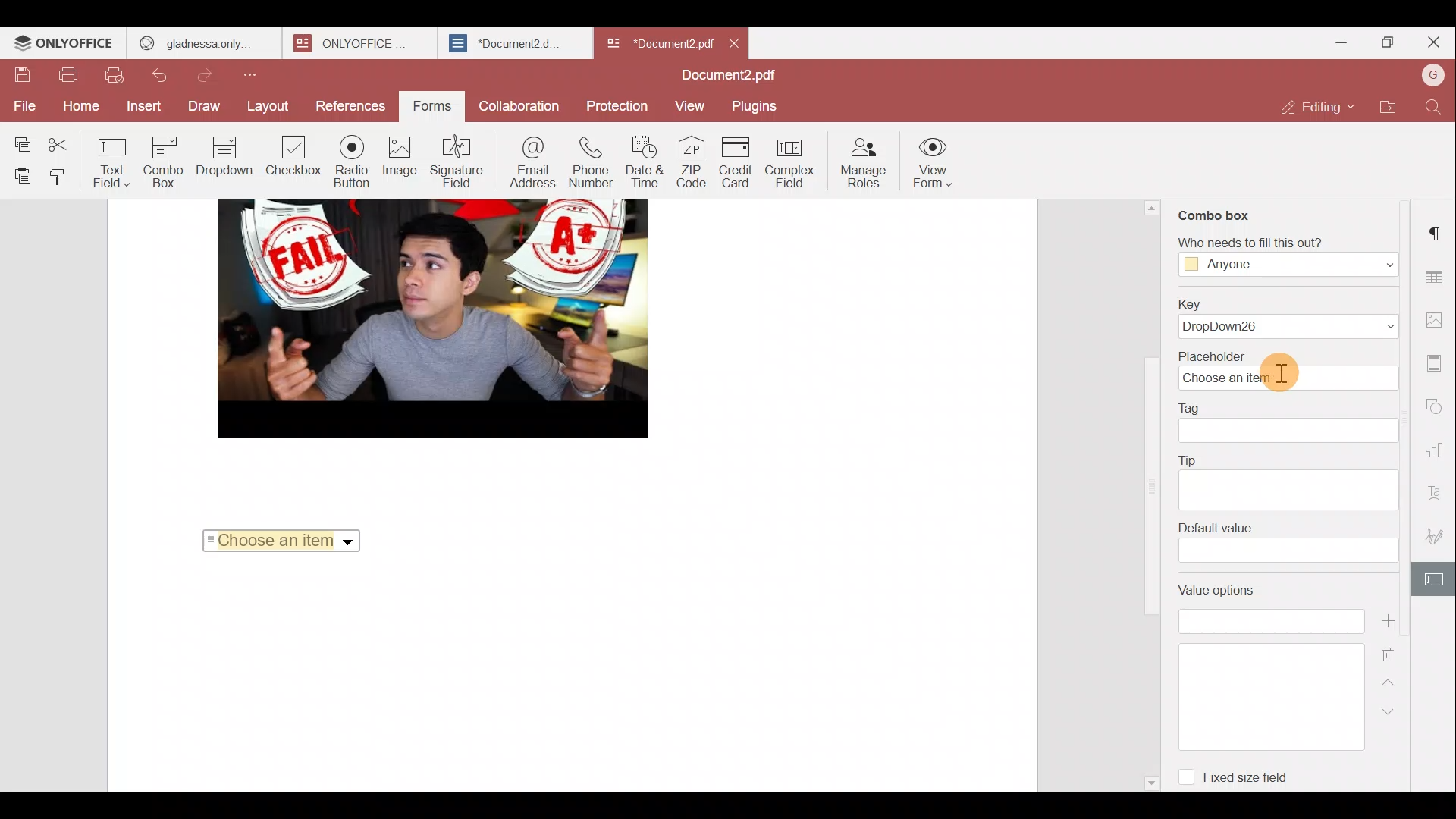  What do you see at coordinates (1433, 110) in the screenshot?
I see `Find` at bounding box center [1433, 110].